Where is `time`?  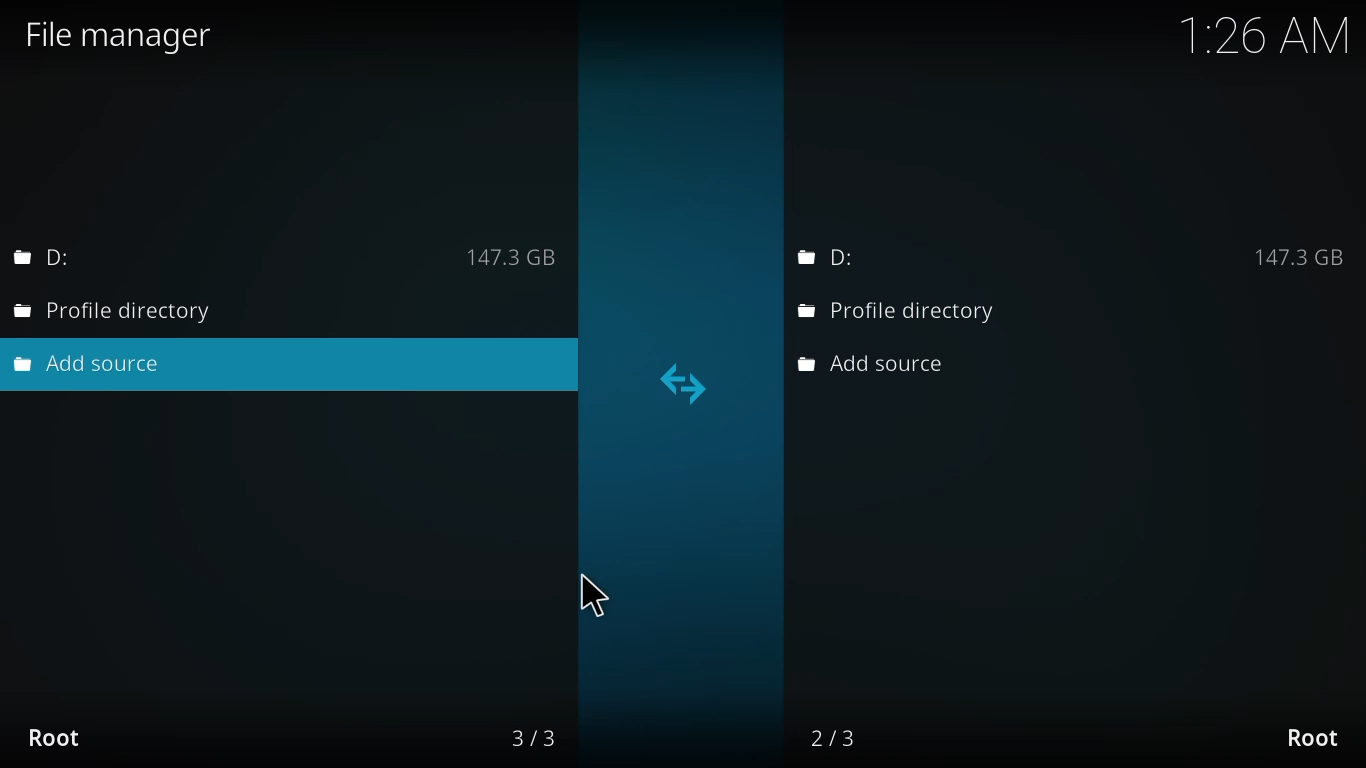
time is located at coordinates (1261, 36).